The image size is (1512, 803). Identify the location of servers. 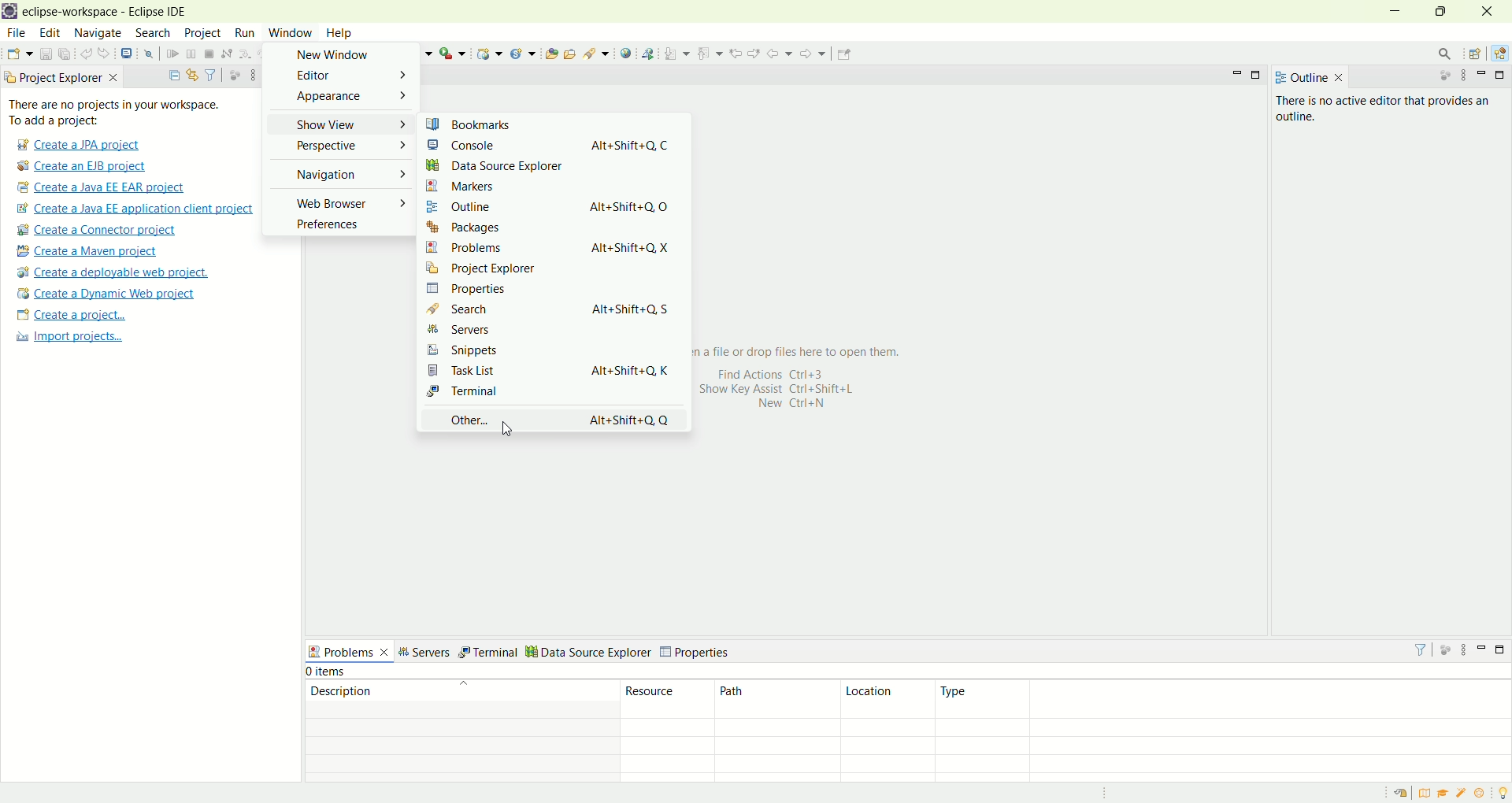
(424, 651).